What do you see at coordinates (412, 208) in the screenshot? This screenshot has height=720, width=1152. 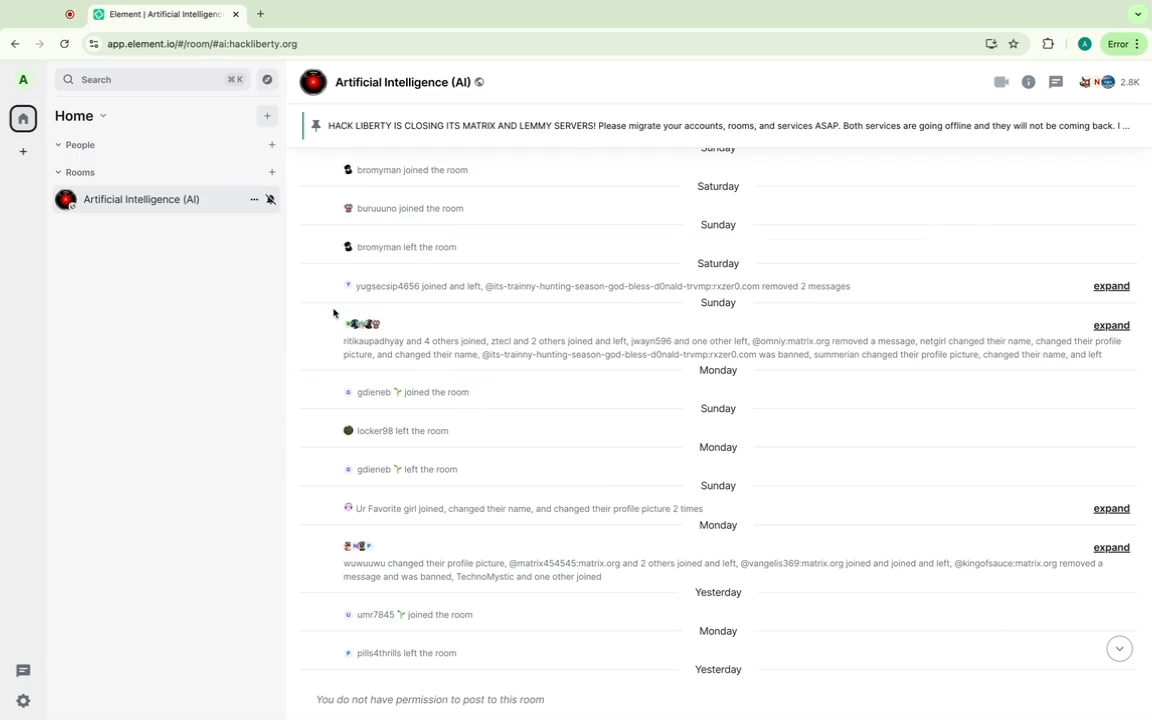 I see `Message` at bounding box center [412, 208].